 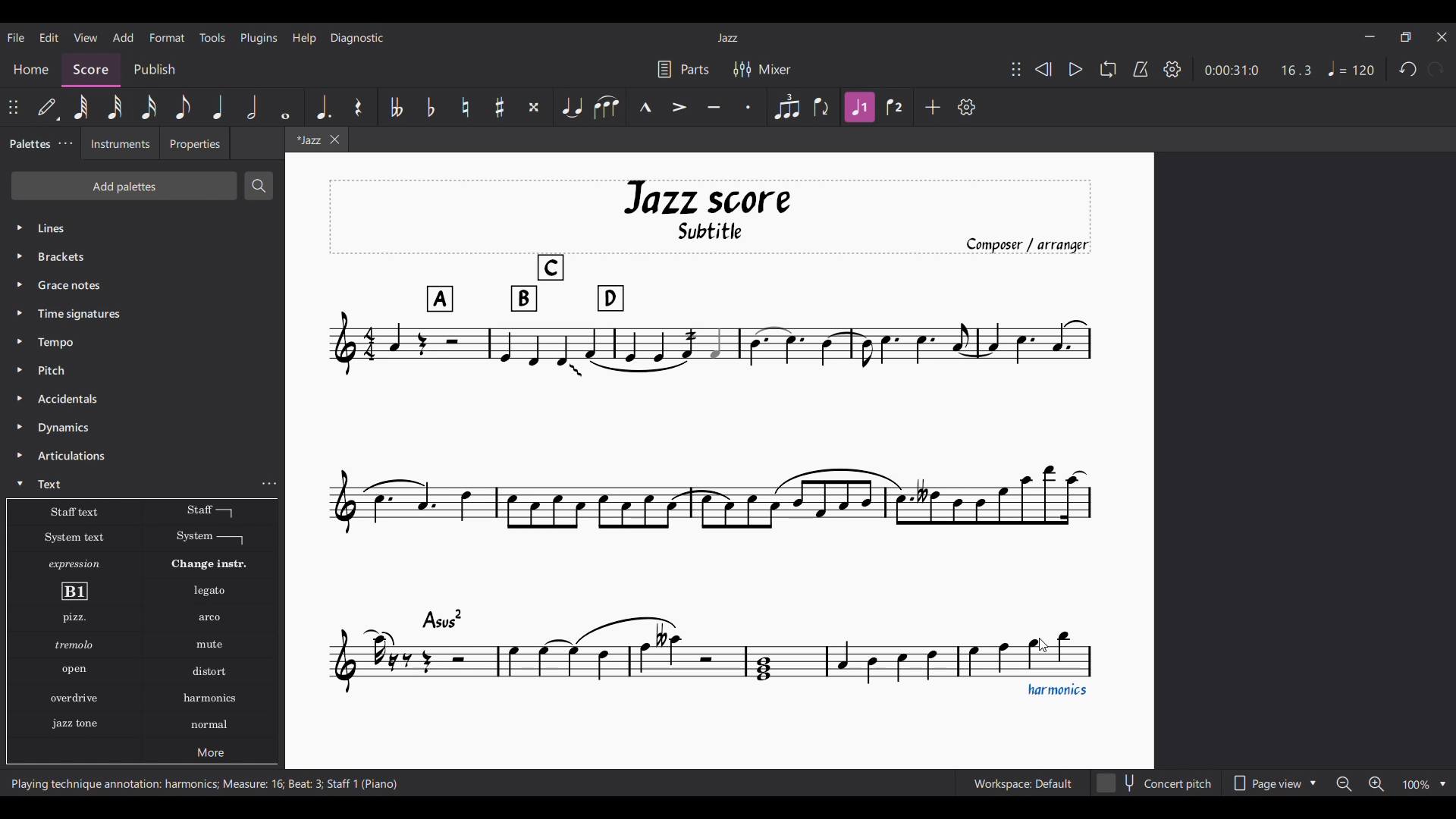 I want to click on Articulation, so click(x=74, y=457).